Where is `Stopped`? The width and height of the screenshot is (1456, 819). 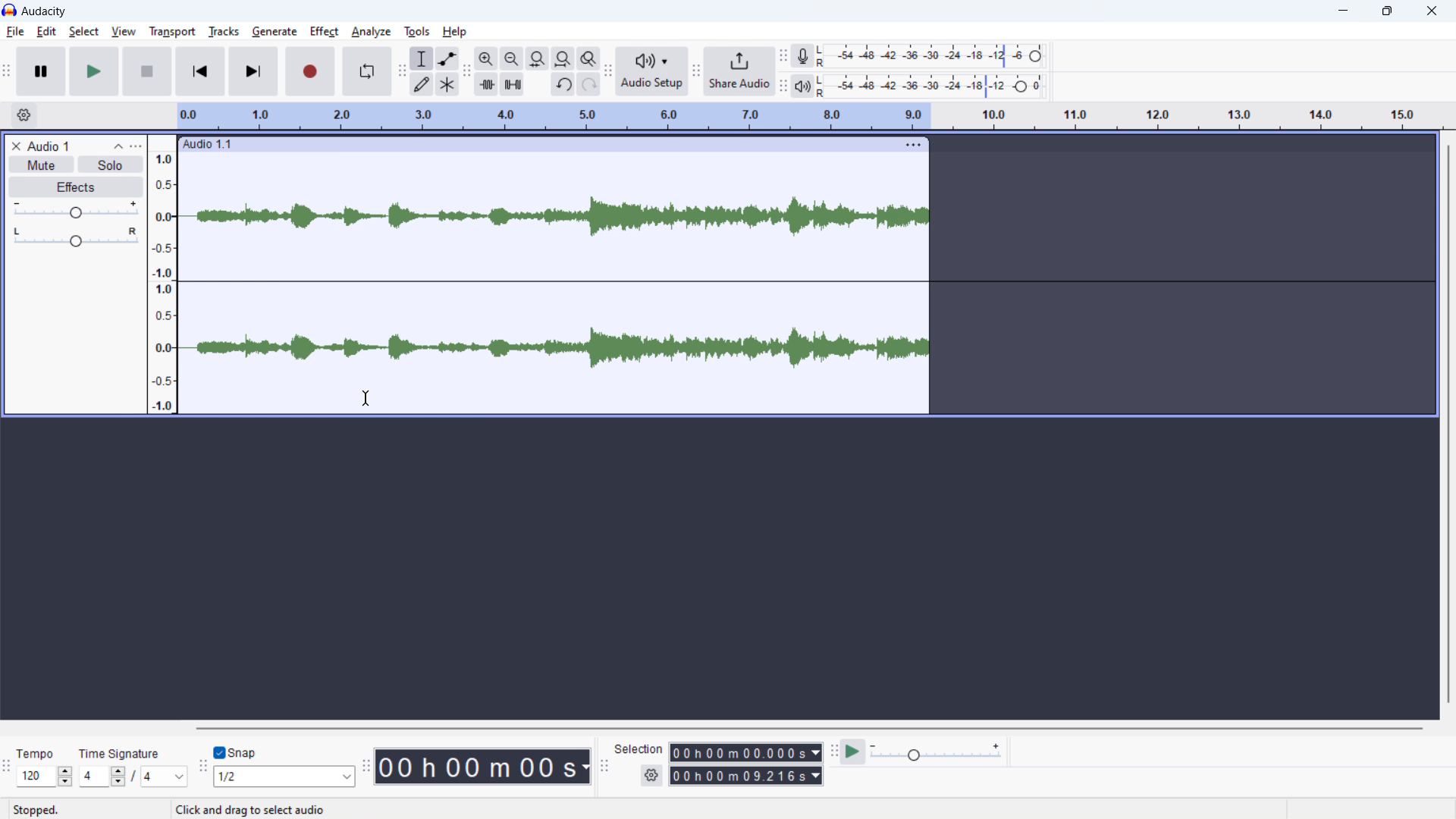 Stopped is located at coordinates (36, 809).